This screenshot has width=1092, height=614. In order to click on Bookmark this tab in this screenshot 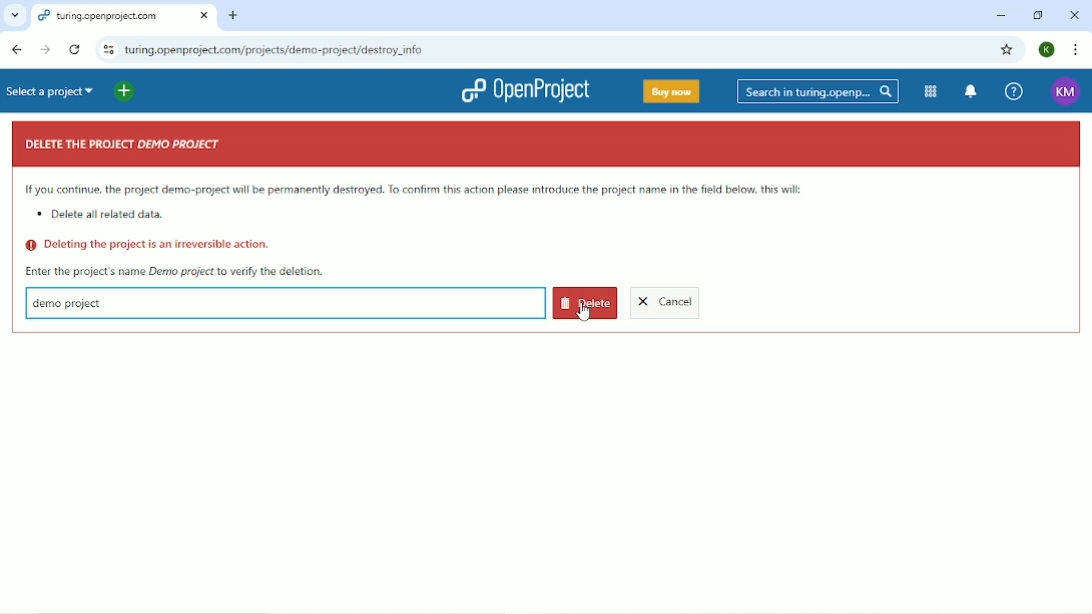, I will do `click(1008, 49)`.